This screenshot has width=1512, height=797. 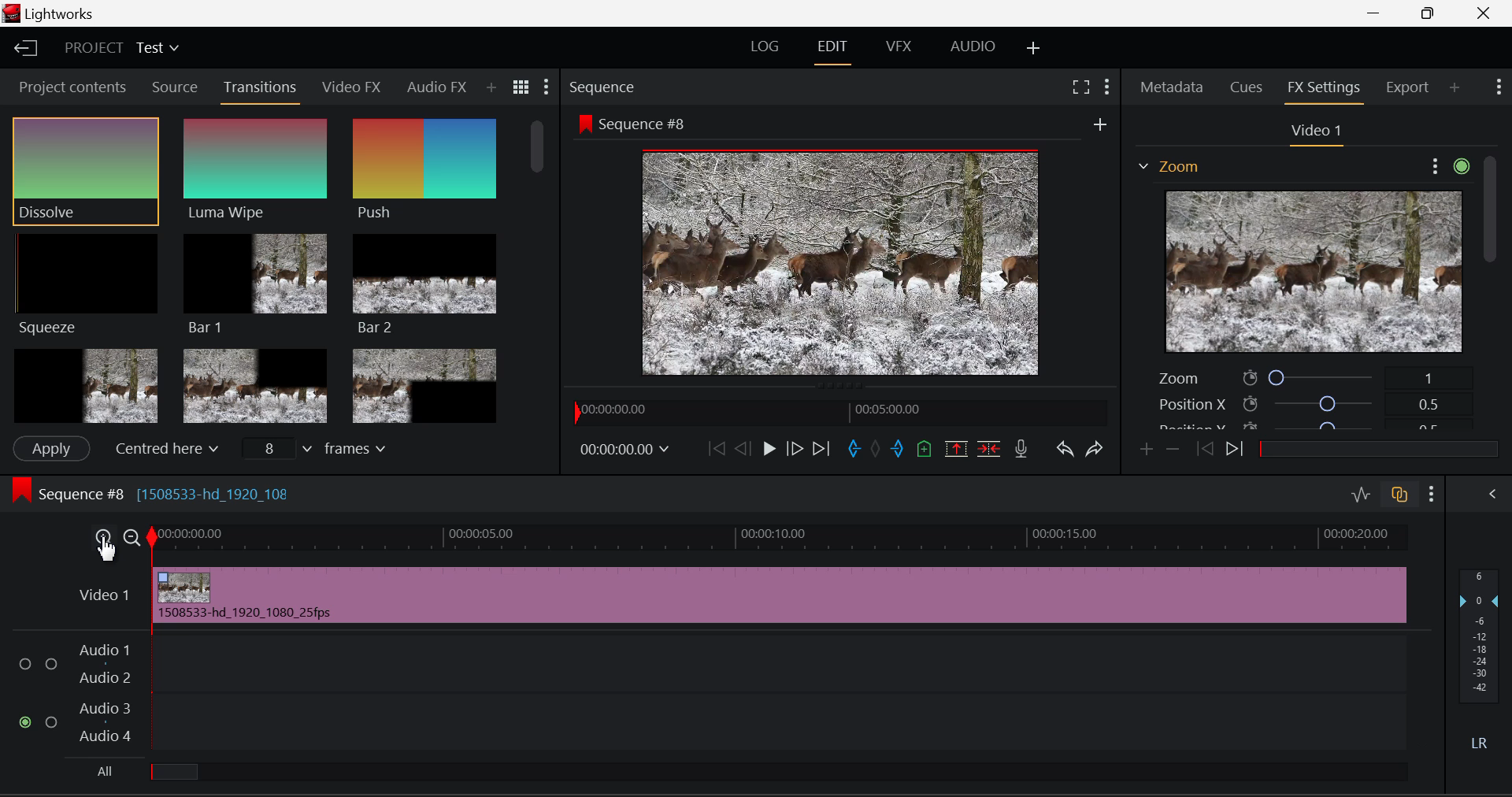 What do you see at coordinates (1205, 448) in the screenshot?
I see `Previous keyframe` at bounding box center [1205, 448].